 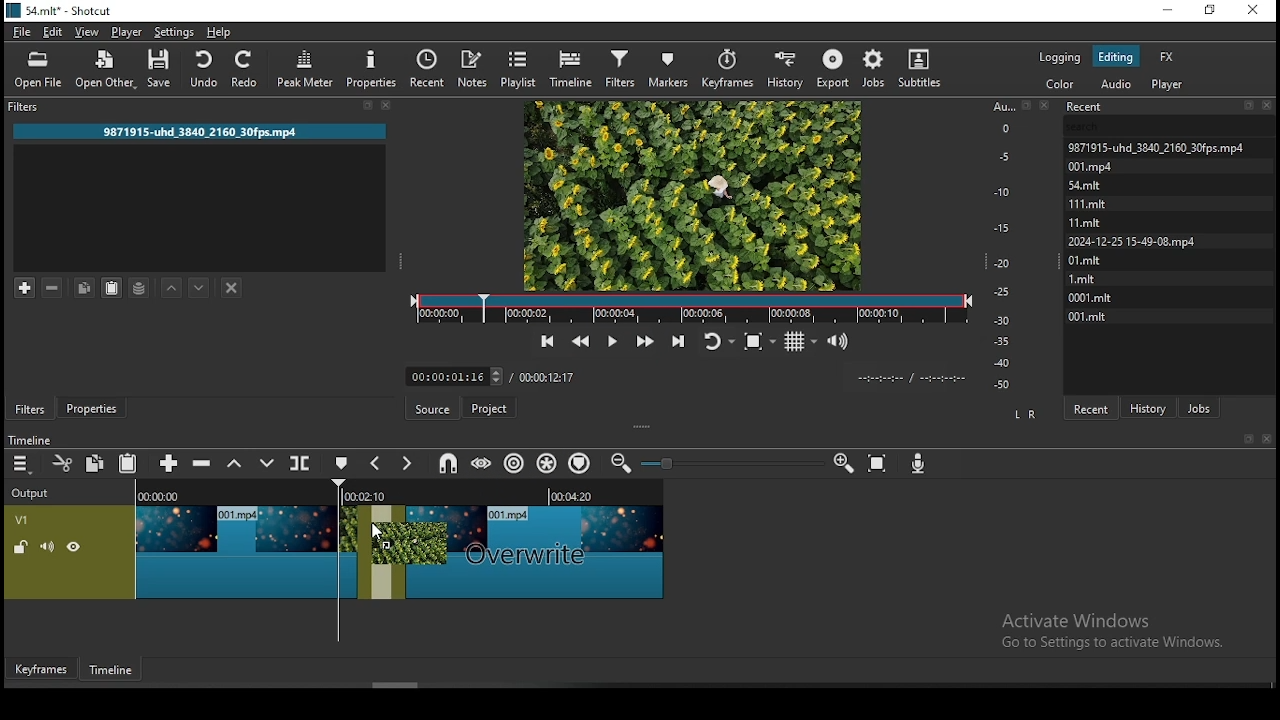 I want to click on skip to the next point, so click(x=682, y=338).